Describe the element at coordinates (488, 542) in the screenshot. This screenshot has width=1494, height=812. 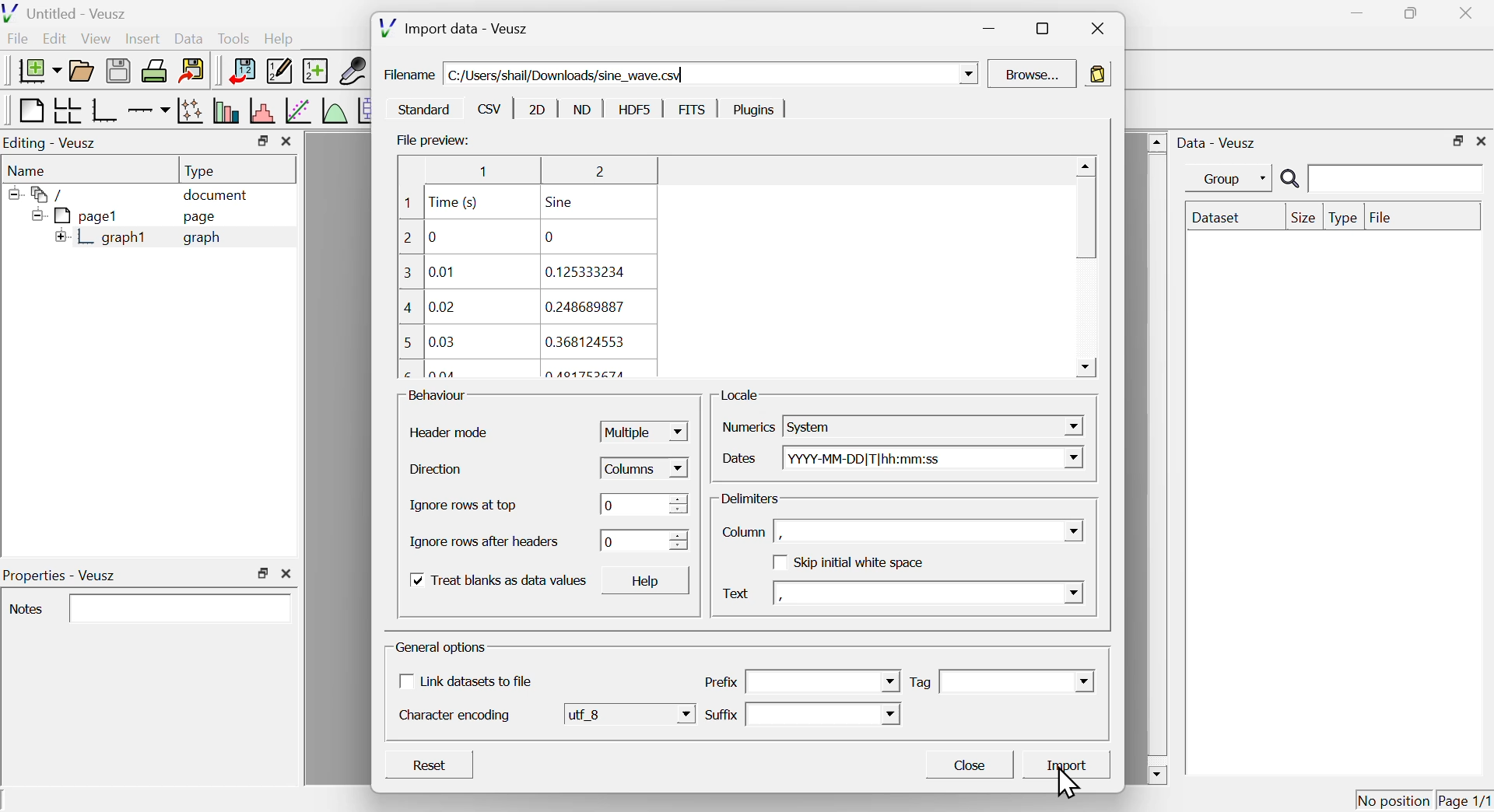
I see `Ignore rows after headers` at that location.